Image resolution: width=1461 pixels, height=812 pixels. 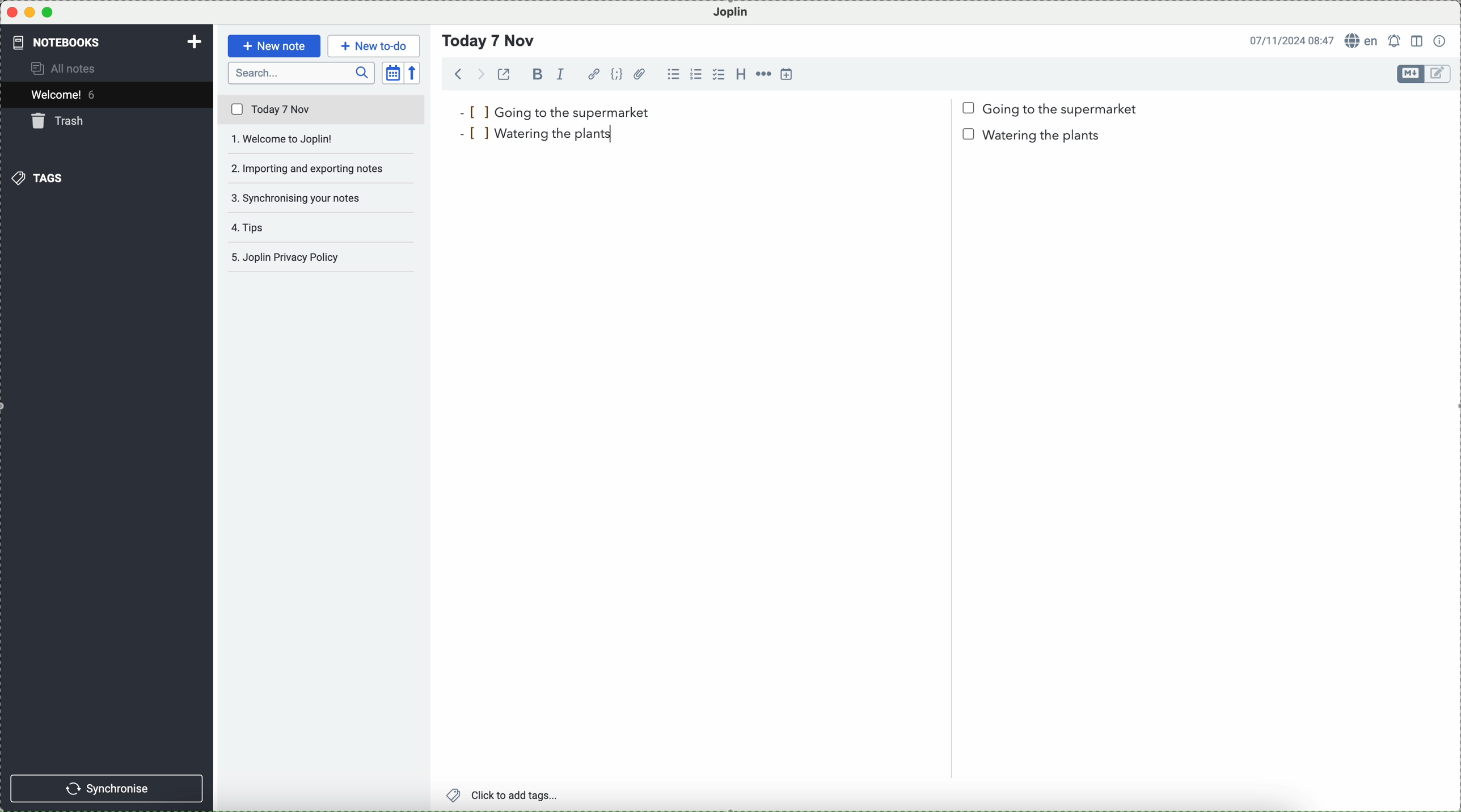 I want to click on language, so click(x=1362, y=40).